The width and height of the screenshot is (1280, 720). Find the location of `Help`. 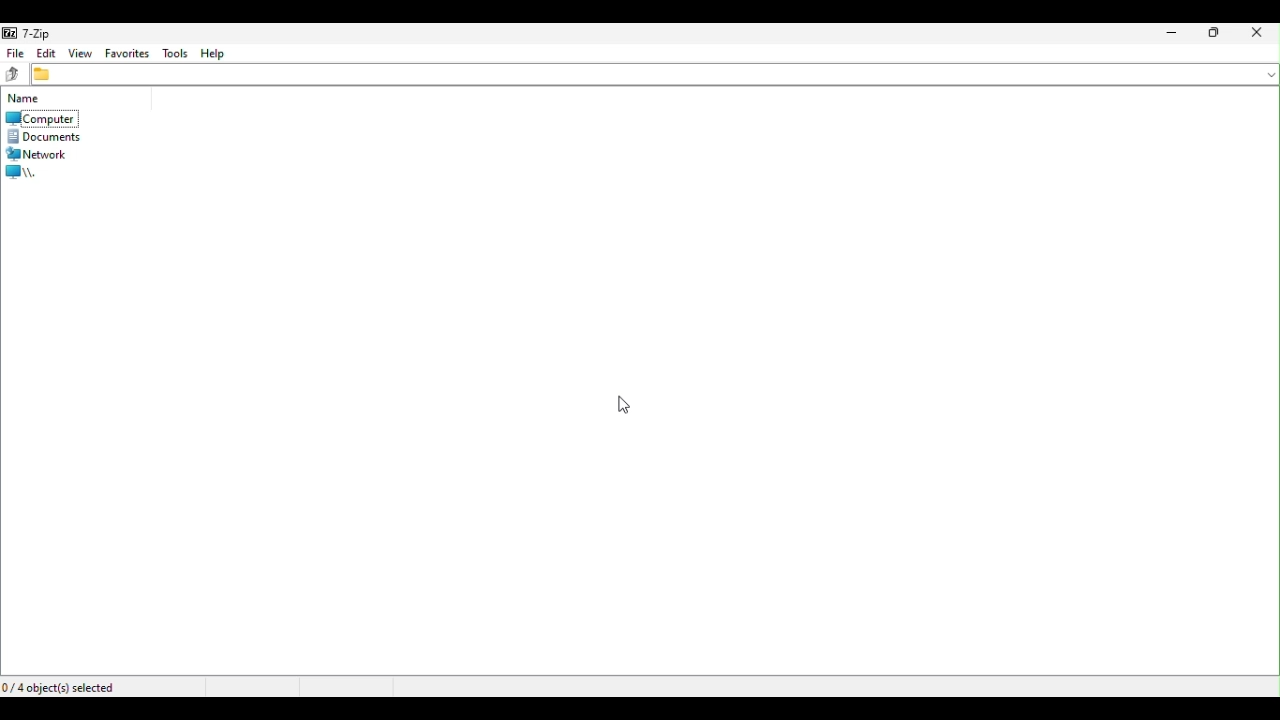

Help is located at coordinates (216, 52).